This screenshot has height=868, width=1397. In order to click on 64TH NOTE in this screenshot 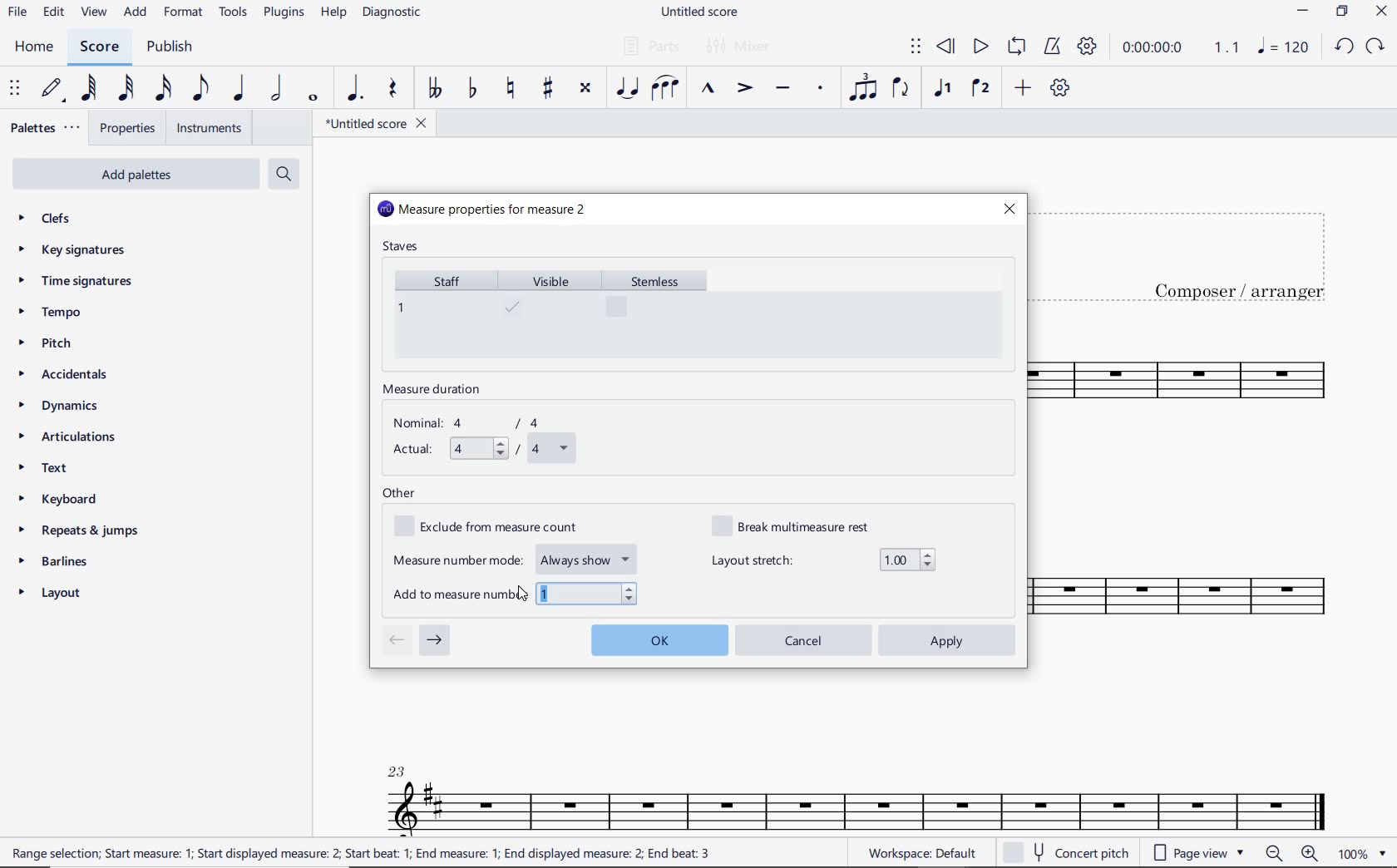, I will do `click(91, 89)`.